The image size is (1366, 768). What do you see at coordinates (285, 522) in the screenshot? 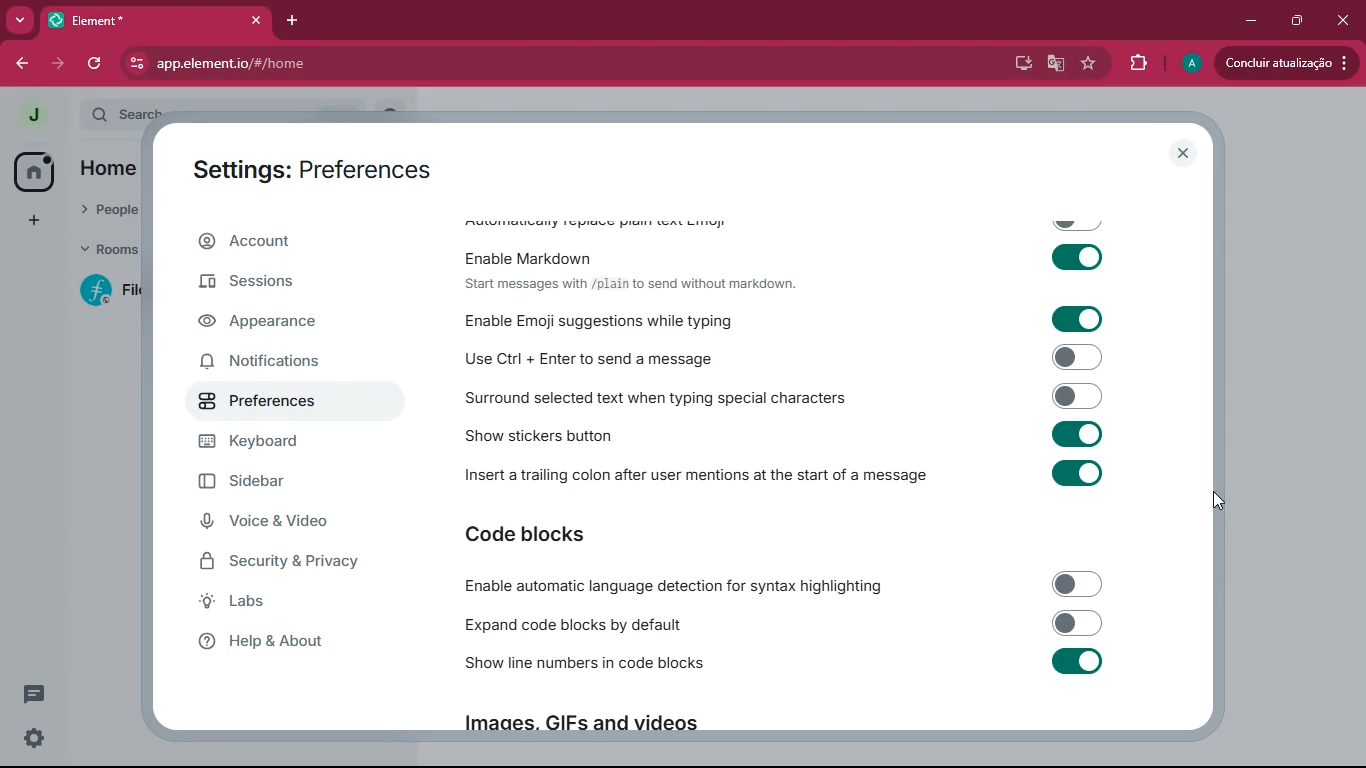
I see `voice & video` at bounding box center [285, 522].